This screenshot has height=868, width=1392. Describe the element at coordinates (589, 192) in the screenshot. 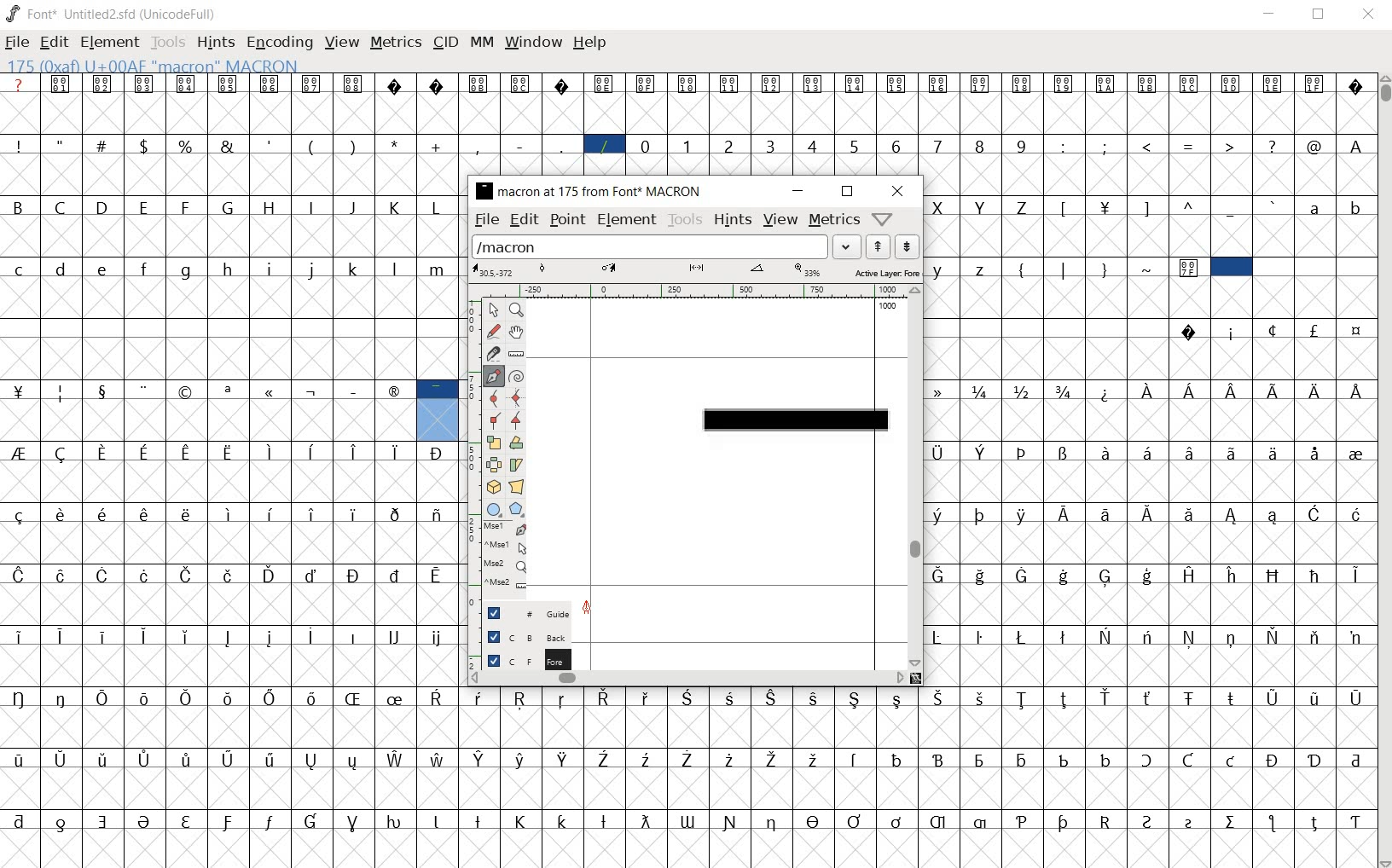

I see `glyph name` at that location.